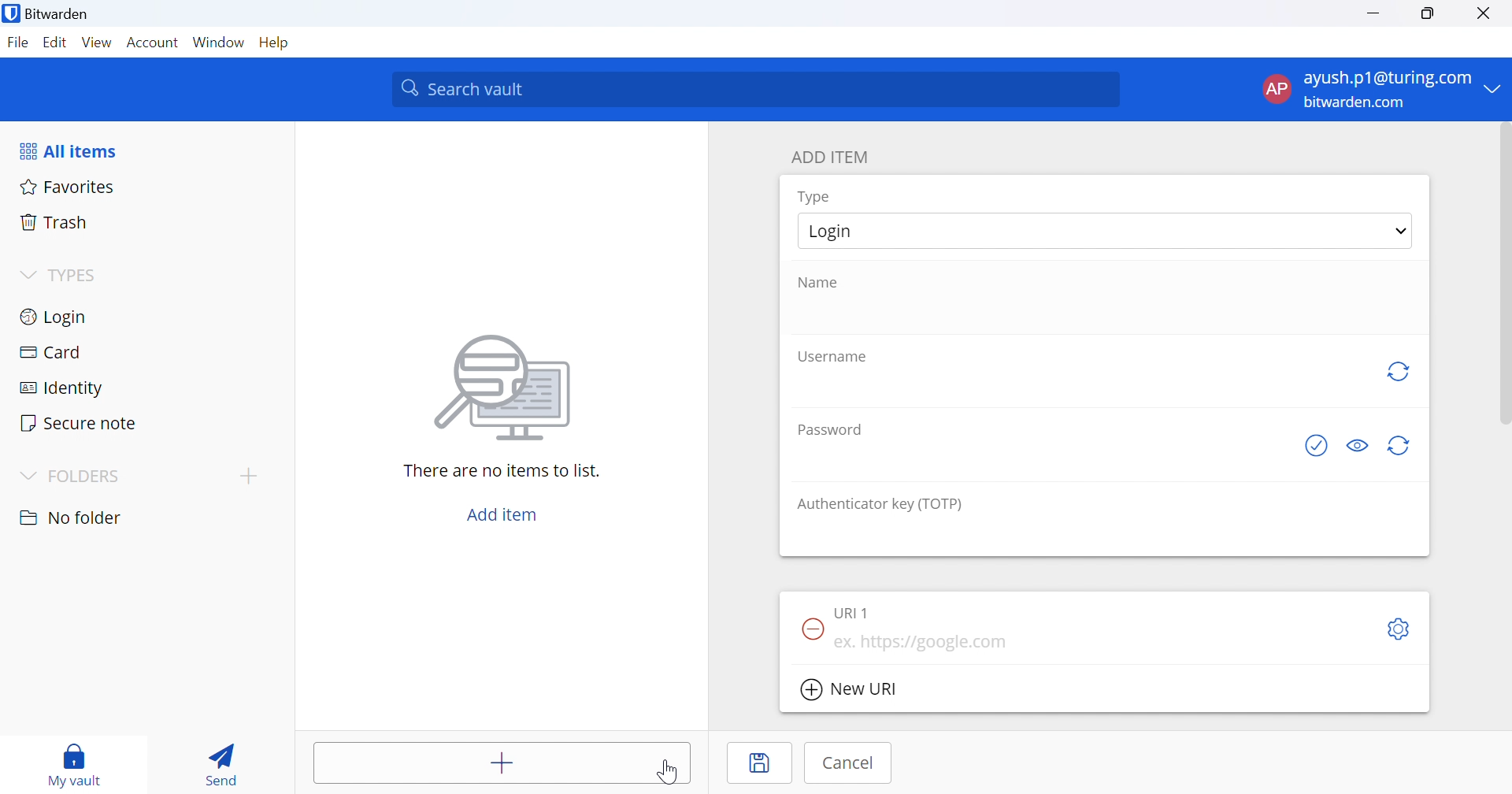 This screenshot has width=1512, height=794. What do you see at coordinates (72, 149) in the screenshot?
I see `All items` at bounding box center [72, 149].